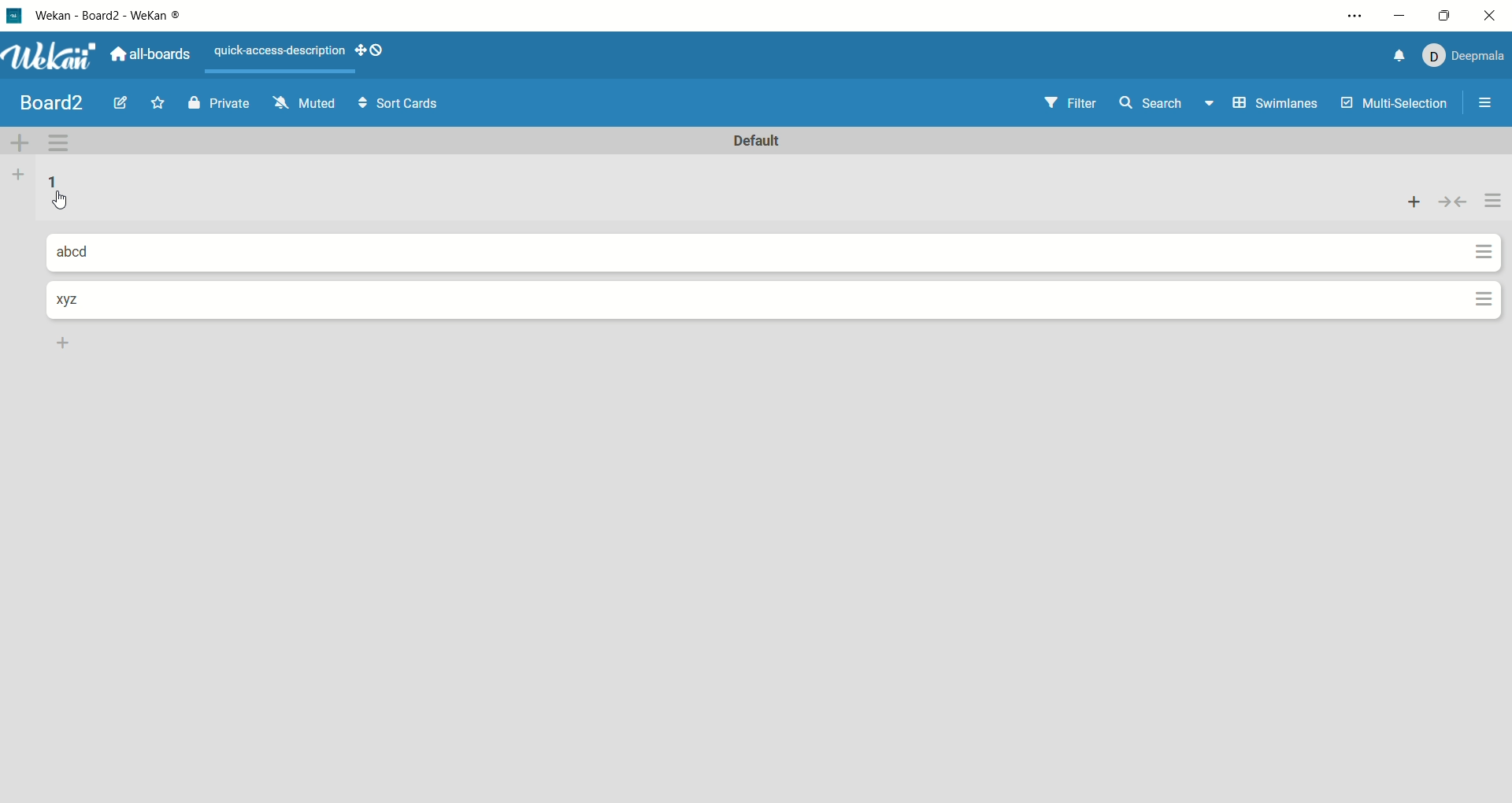 The height and width of the screenshot is (803, 1512). Describe the element at coordinates (1488, 102) in the screenshot. I see `option` at that location.